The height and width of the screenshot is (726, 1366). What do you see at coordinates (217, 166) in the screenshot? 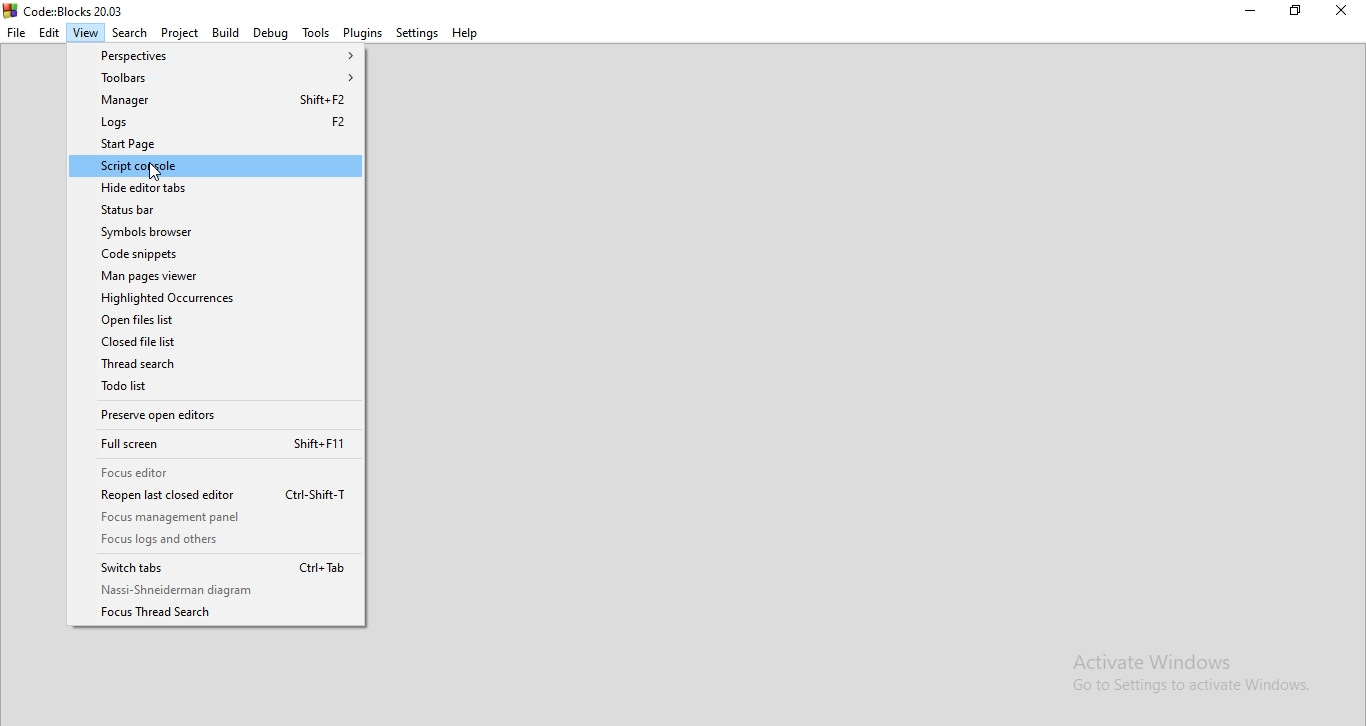
I see `Script console` at bounding box center [217, 166].